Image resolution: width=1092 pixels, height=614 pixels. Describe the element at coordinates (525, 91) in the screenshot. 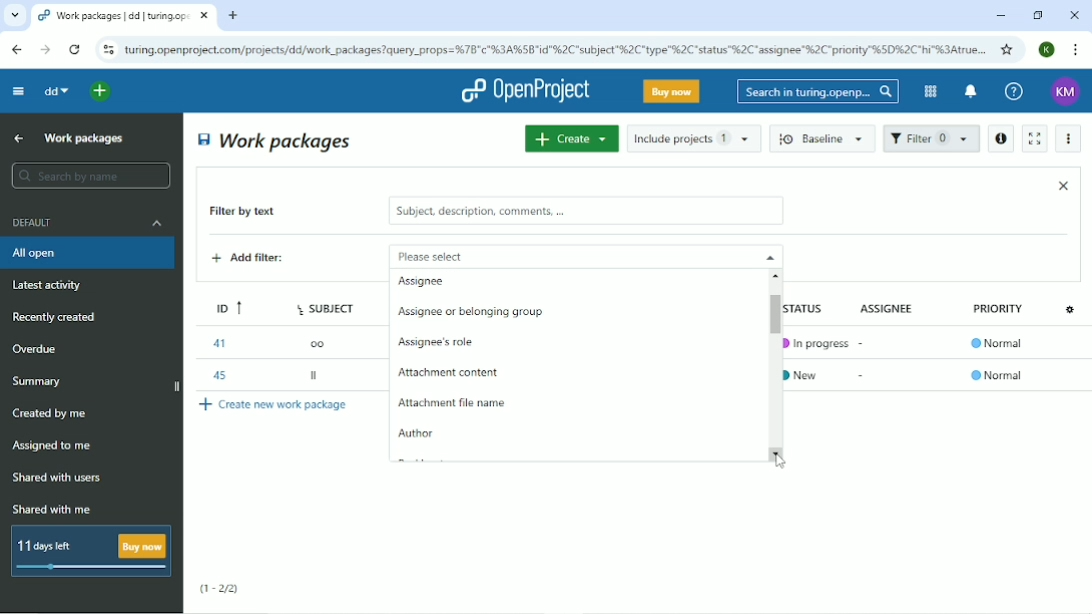

I see `OpenProject` at that location.